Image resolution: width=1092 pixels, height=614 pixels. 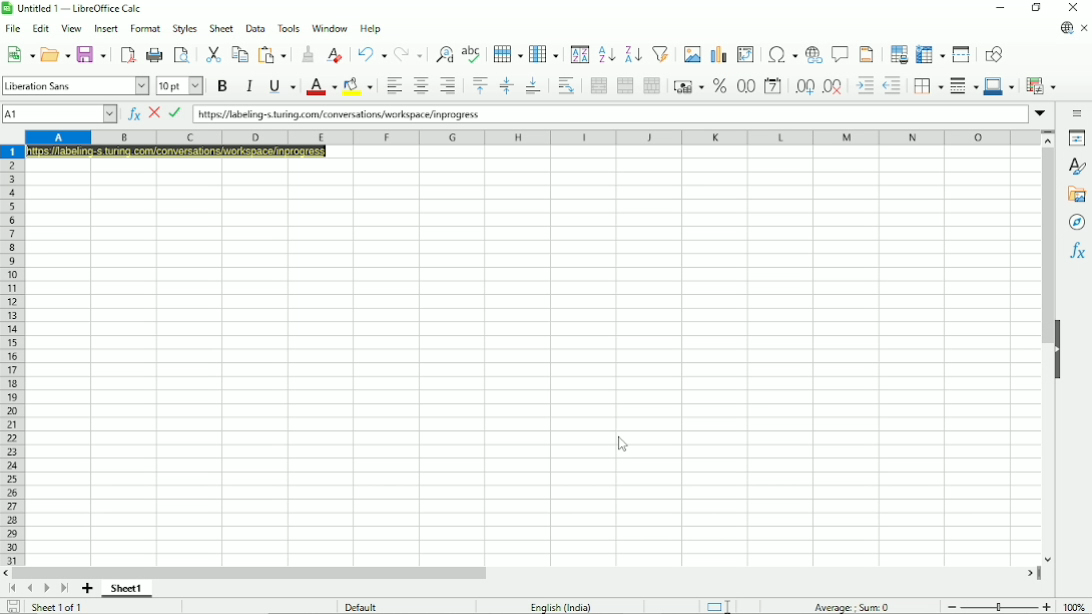 I want to click on Properties, so click(x=1077, y=138).